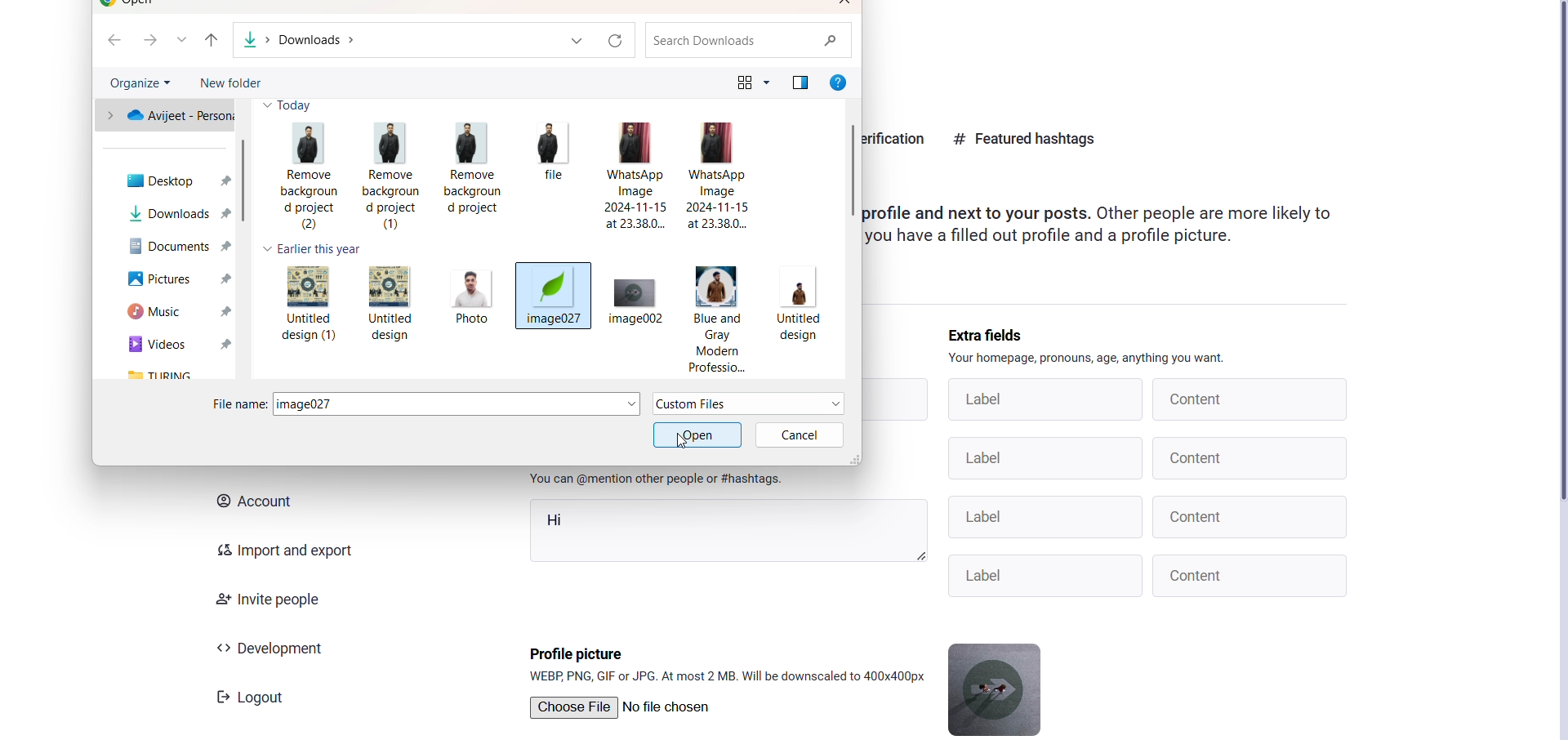 The height and width of the screenshot is (740, 1568). What do you see at coordinates (476, 167) in the screenshot?
I see `Remove background project` at bounding box center [476, 167].